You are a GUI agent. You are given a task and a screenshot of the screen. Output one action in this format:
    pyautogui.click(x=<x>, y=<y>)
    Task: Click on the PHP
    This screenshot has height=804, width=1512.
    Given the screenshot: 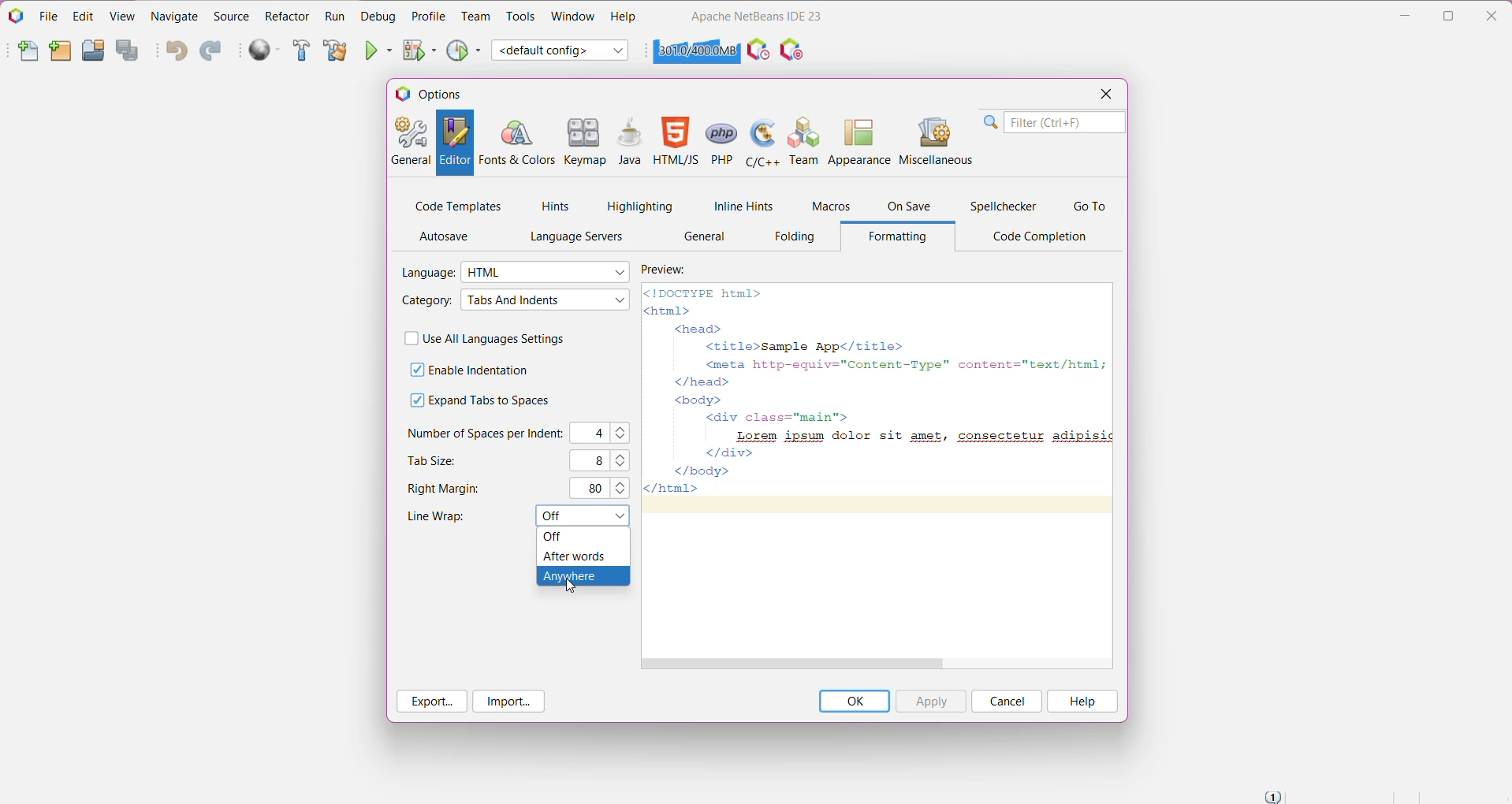 What is the action you would take?
    pyautogui.click(x=721, y=141)
    